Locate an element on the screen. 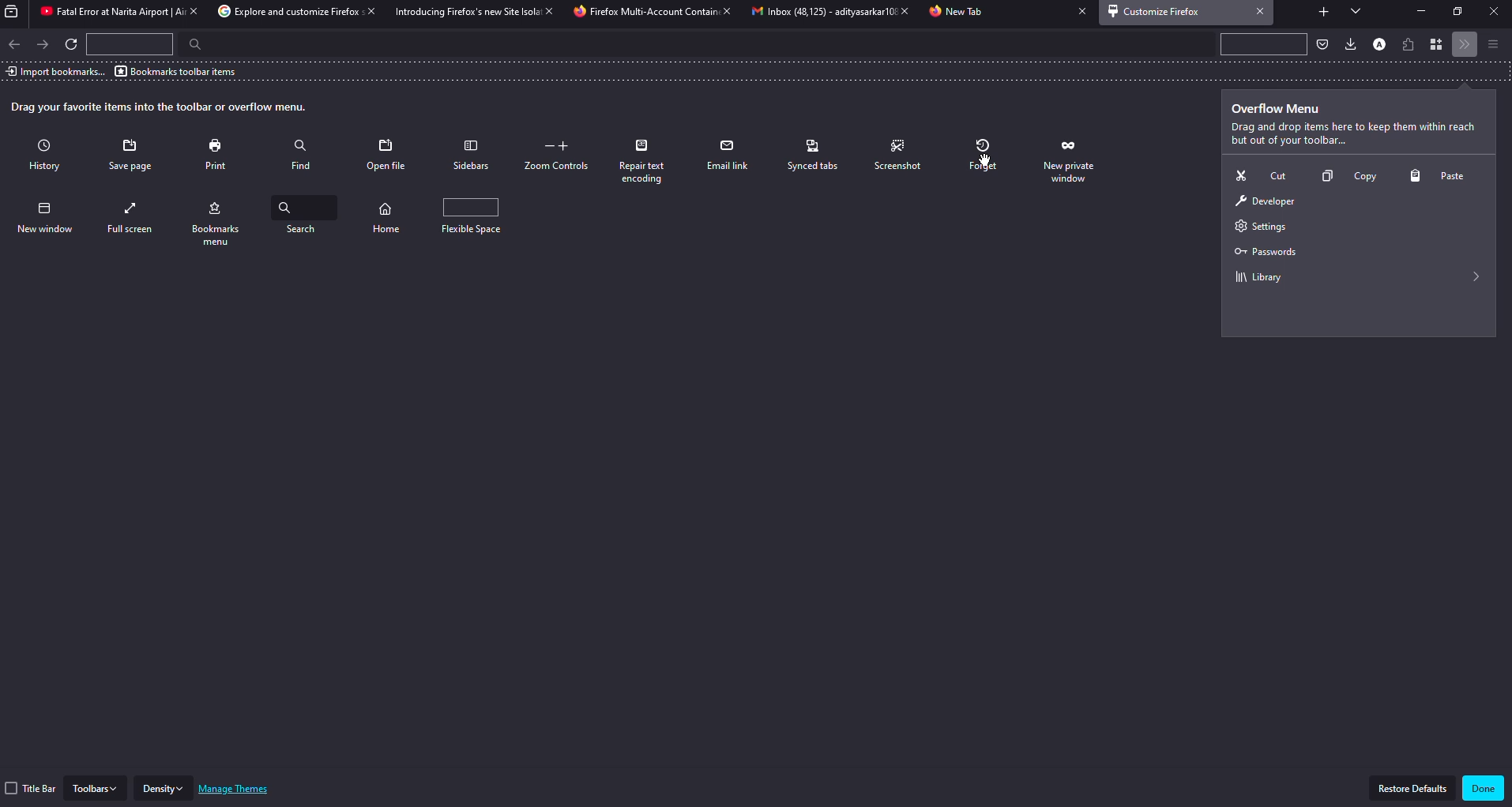  bookmarks menu is located at coordinates (219, 220).